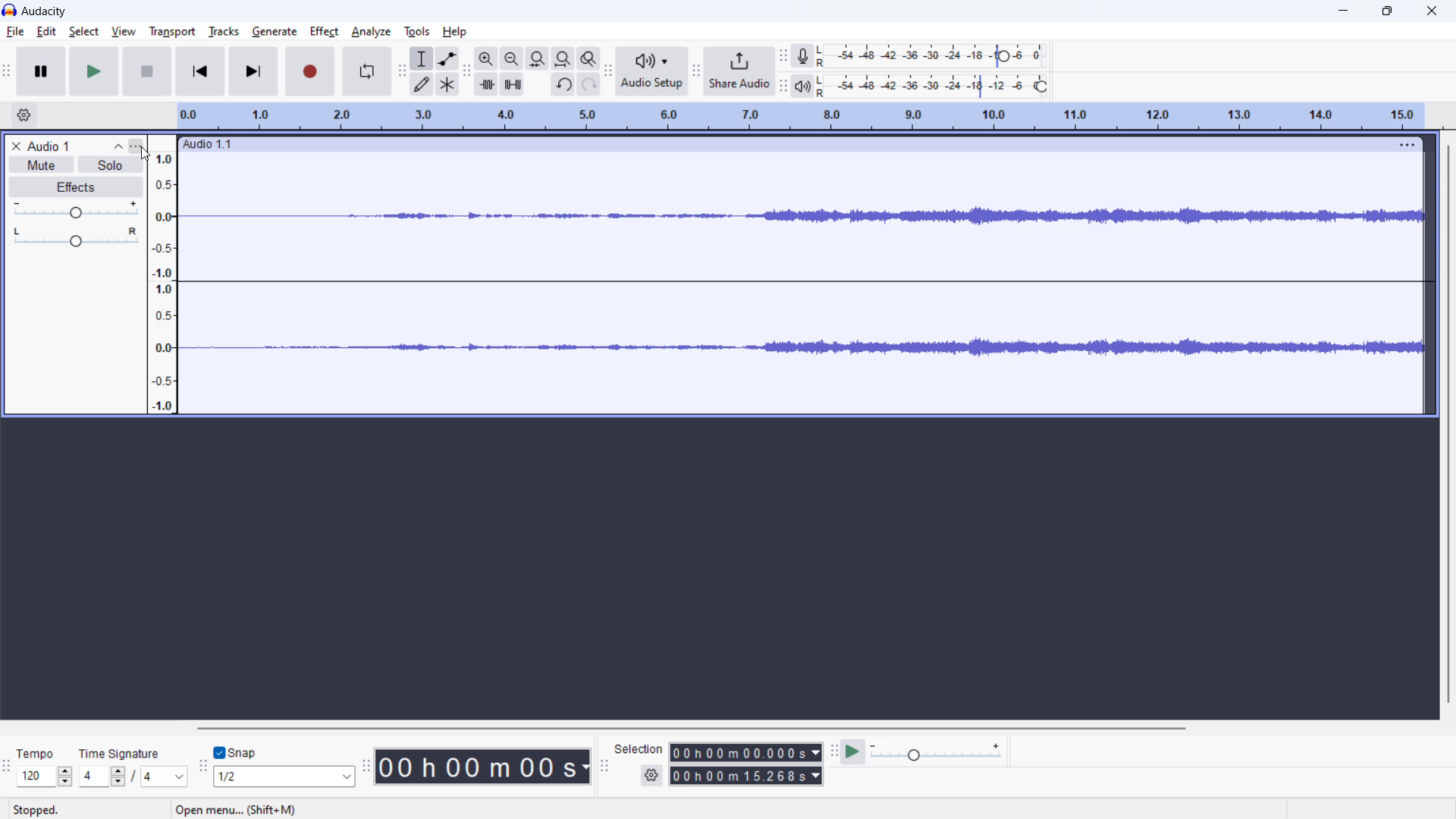 The image size is (1456, 819). What do you see at coordinates (76, 237) in the screenshot?
I see `pan: center` at bounding box center [76, 237].